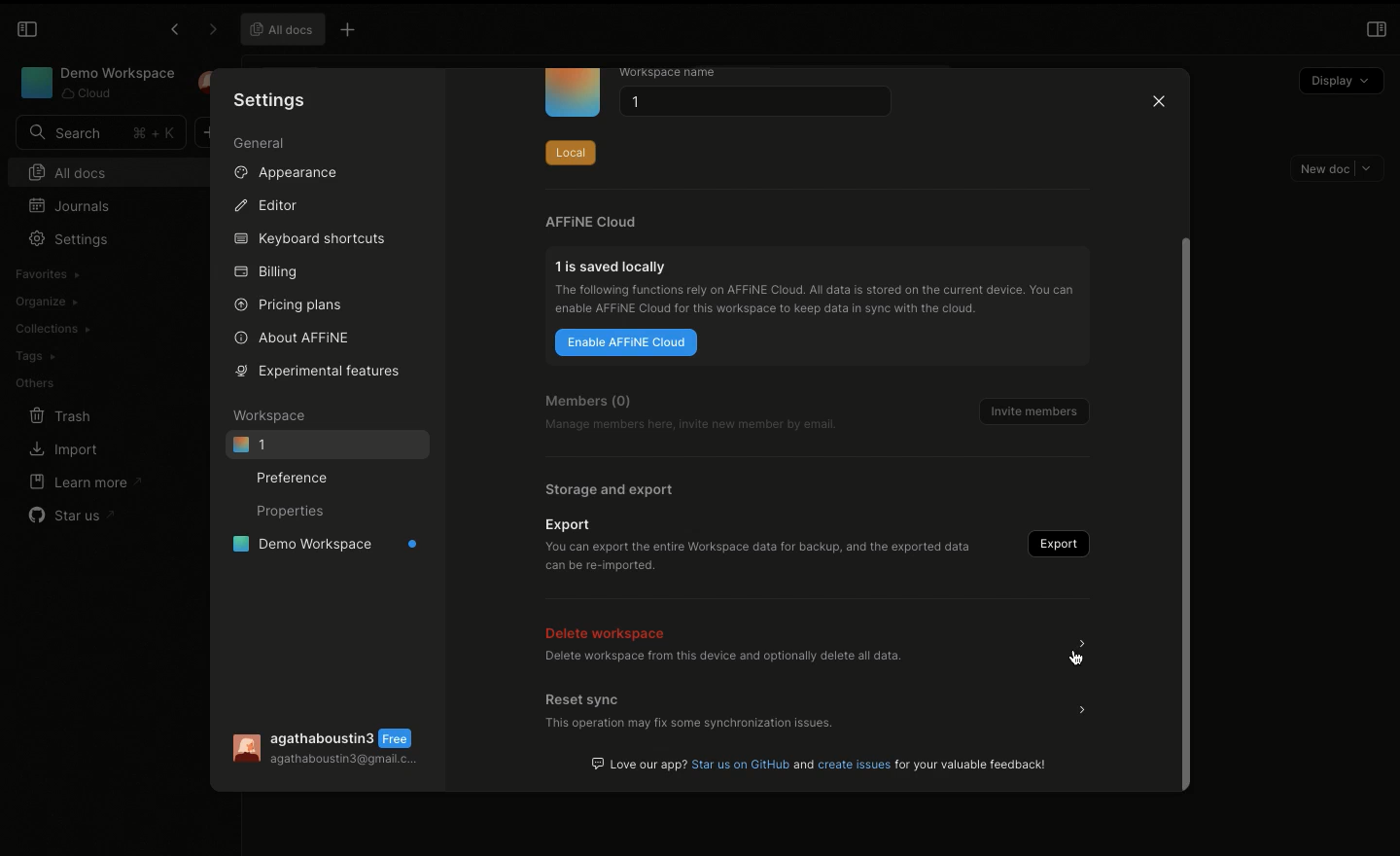 The height and width of the screenshot is (856, 1400). What do you see at coordinates (268, 206) in the screenshot?
I see `Editor` at bounding box center [268, 206].